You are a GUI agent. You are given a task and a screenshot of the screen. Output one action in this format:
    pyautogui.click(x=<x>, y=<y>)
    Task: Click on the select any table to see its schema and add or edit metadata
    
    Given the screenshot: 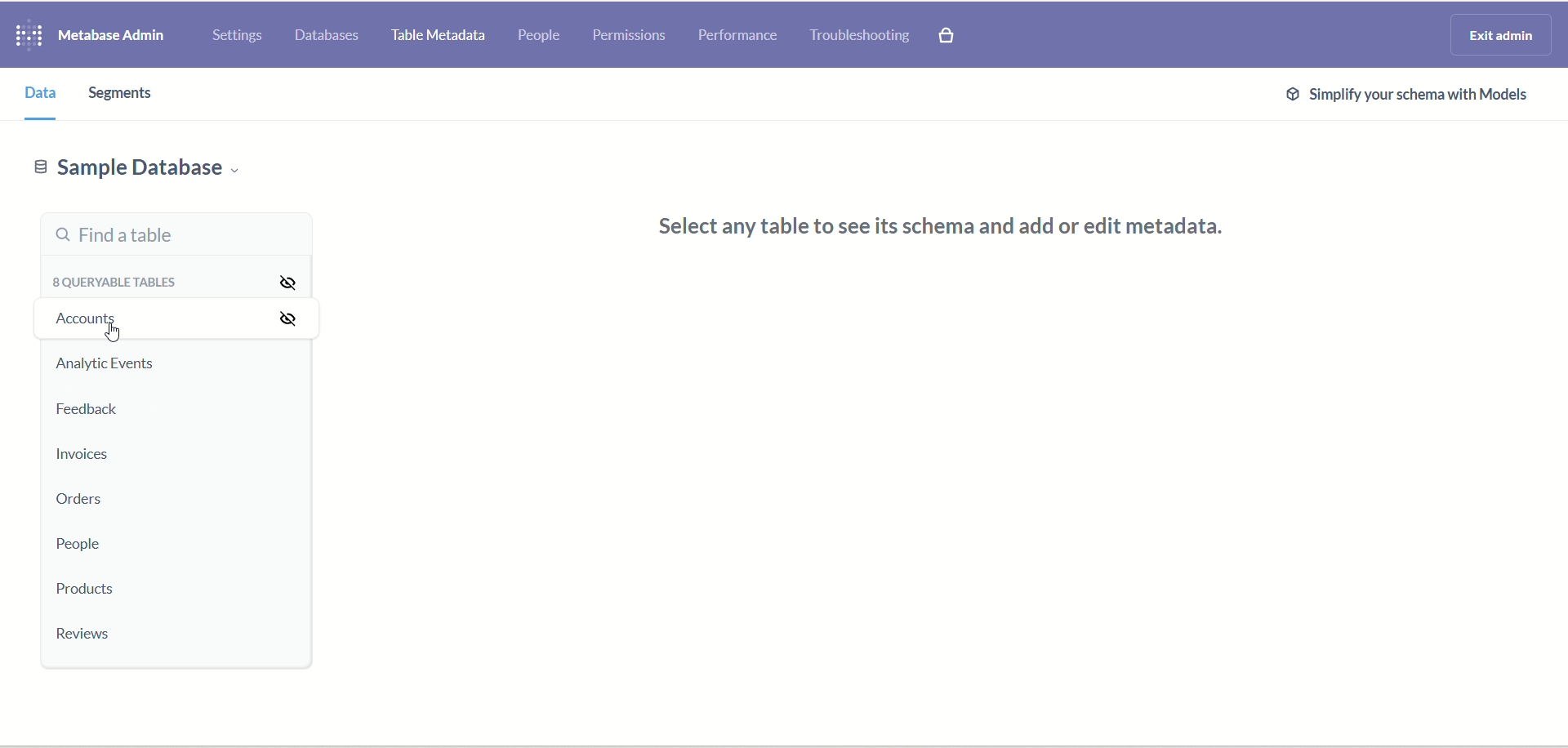 What is the action you would take?
    pyautogui.click(x=951, y=227)
    